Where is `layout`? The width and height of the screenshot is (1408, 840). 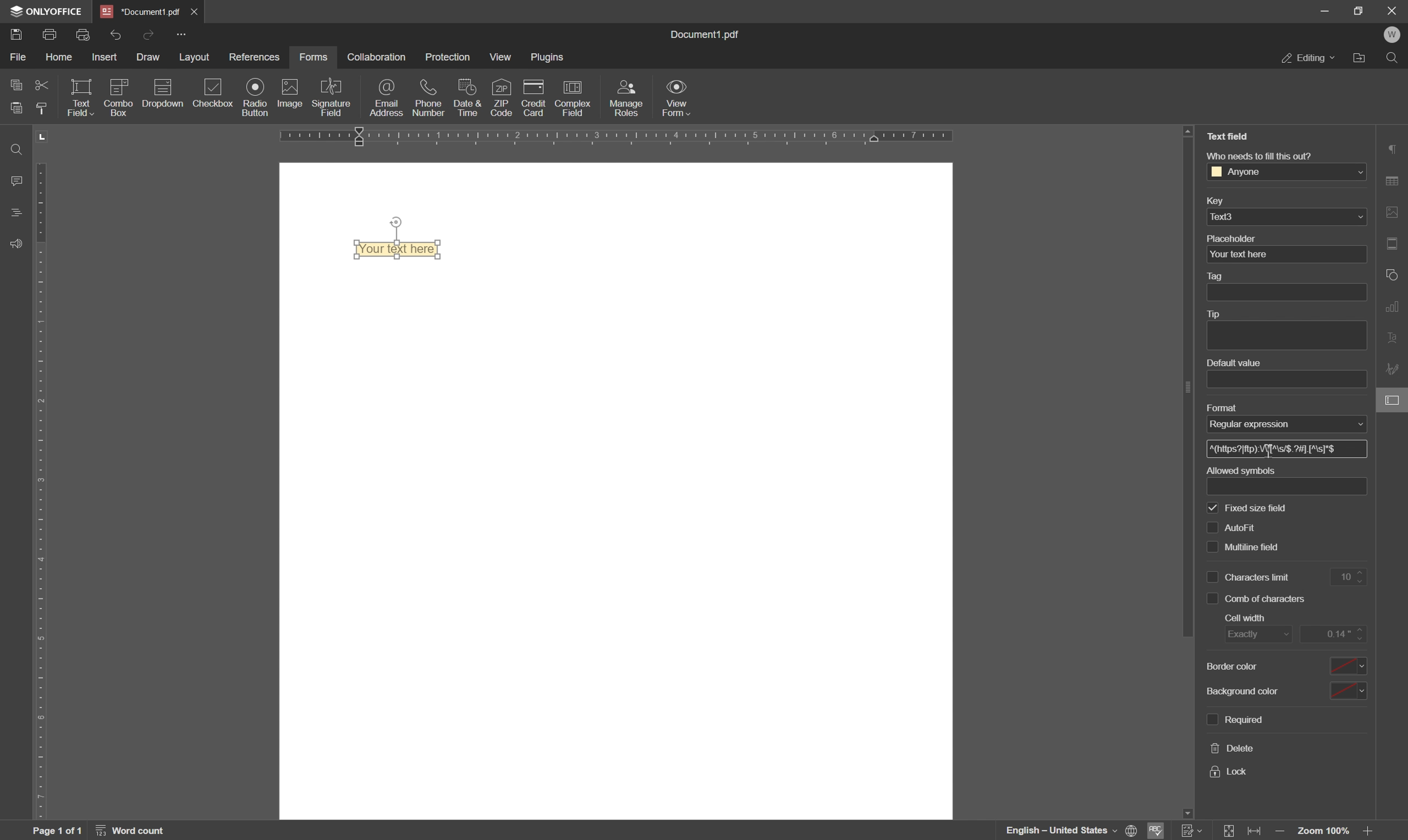 layout is located at coordinates (192, 58).